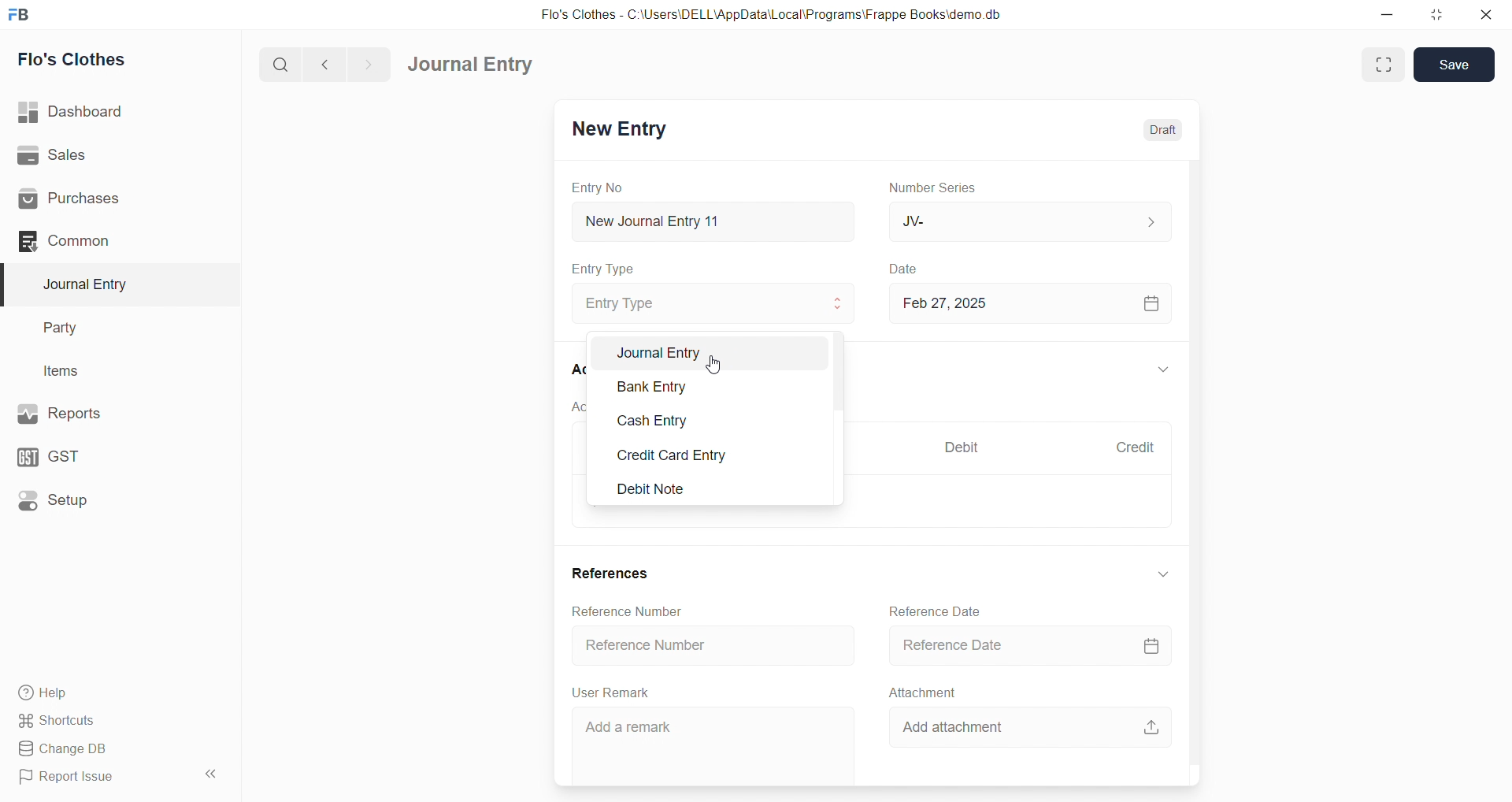 Image resolution: width=1512 pixels, height=802 pixels. I want to click on selected, so click(9, 284).